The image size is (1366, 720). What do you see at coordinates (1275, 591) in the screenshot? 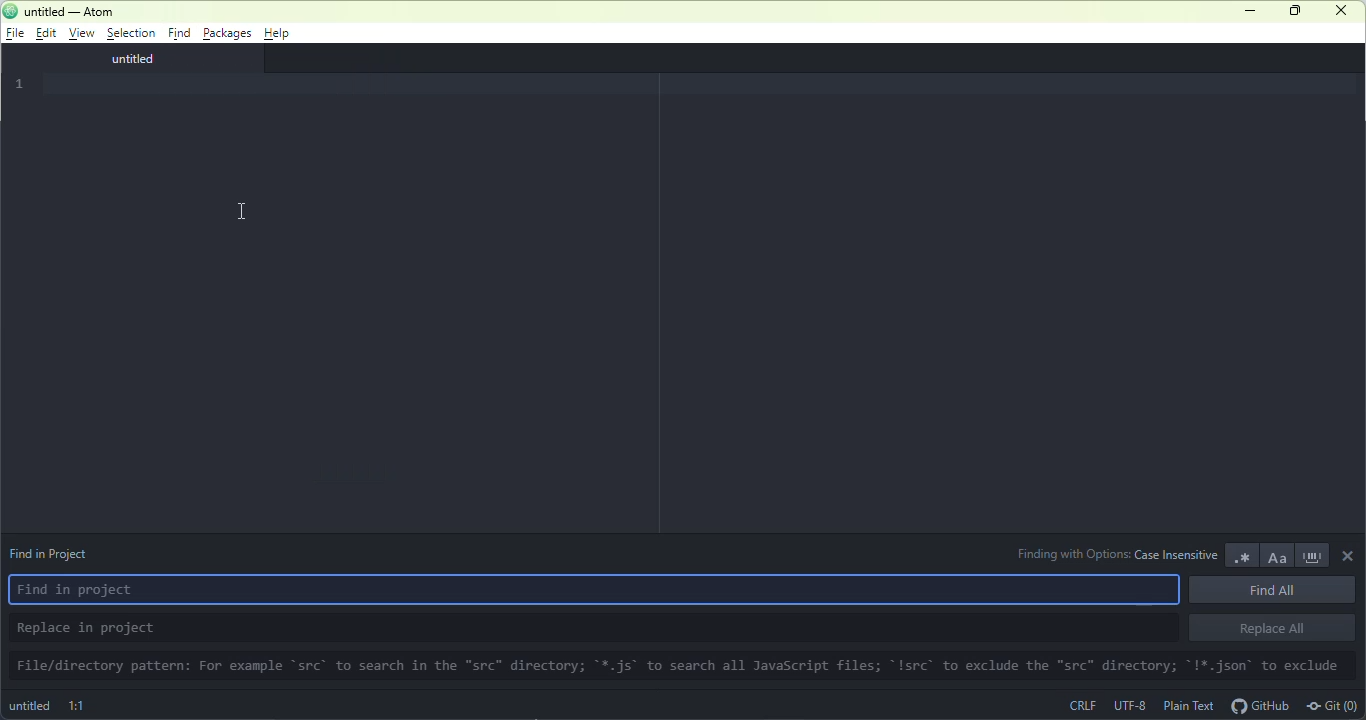
I see `find all` at bounding box center [1275, 591].